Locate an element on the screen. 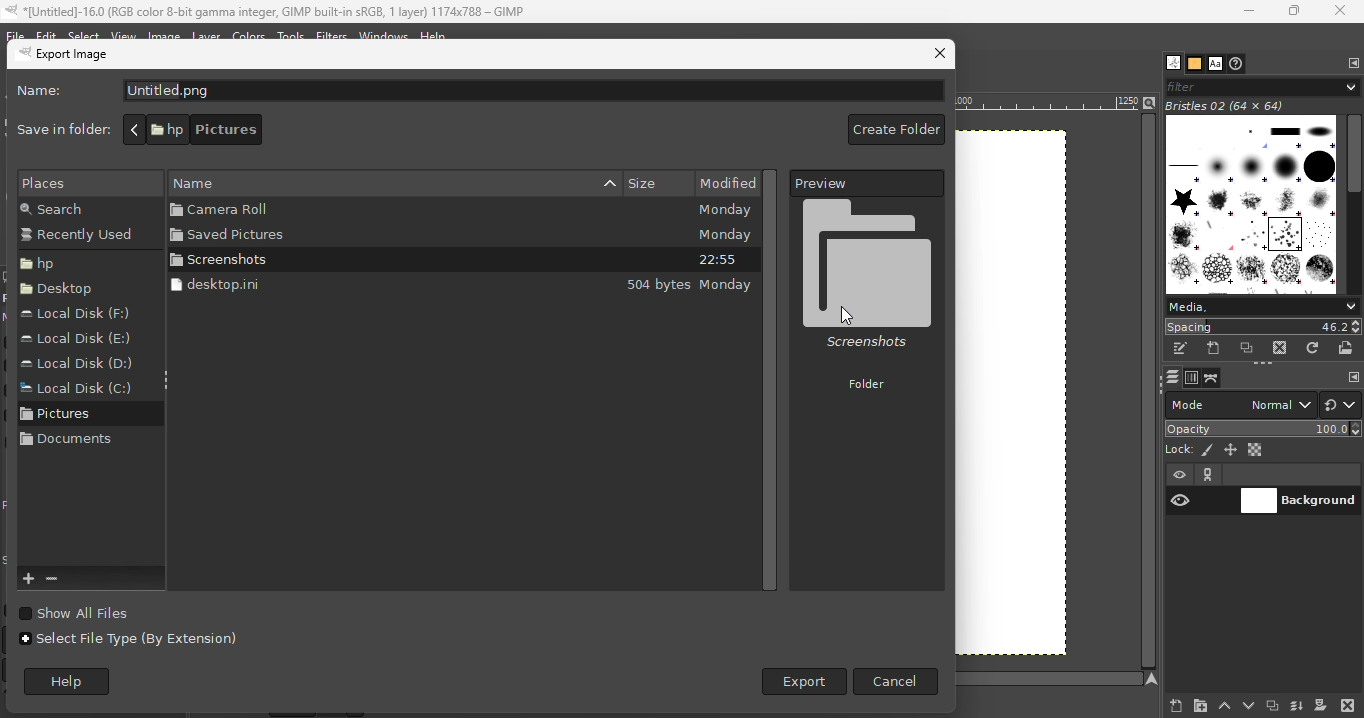  Untitled.png is located at coordinates (532, 91).